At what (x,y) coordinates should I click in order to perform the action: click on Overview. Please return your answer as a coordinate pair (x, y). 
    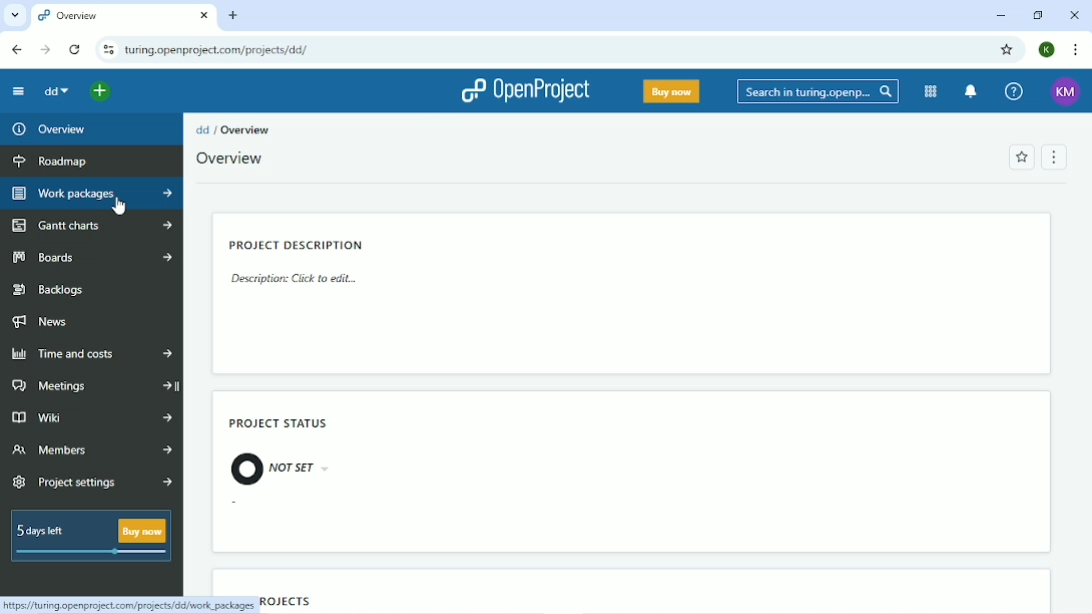
    Looking at the image, I should click on (124, 16).